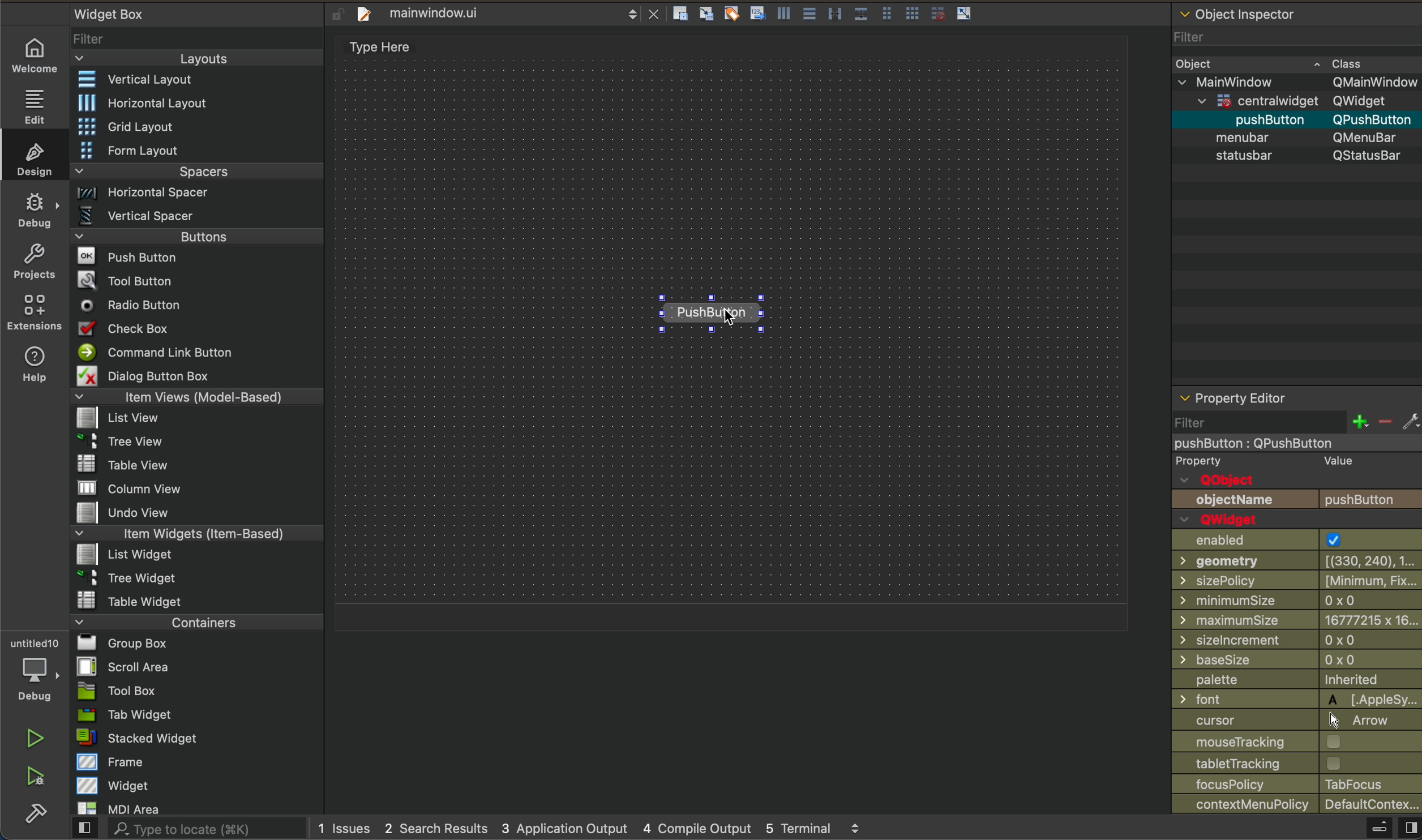  Describe the element at coordinates (33, 740) in the screenshot. I see `run` at that location.